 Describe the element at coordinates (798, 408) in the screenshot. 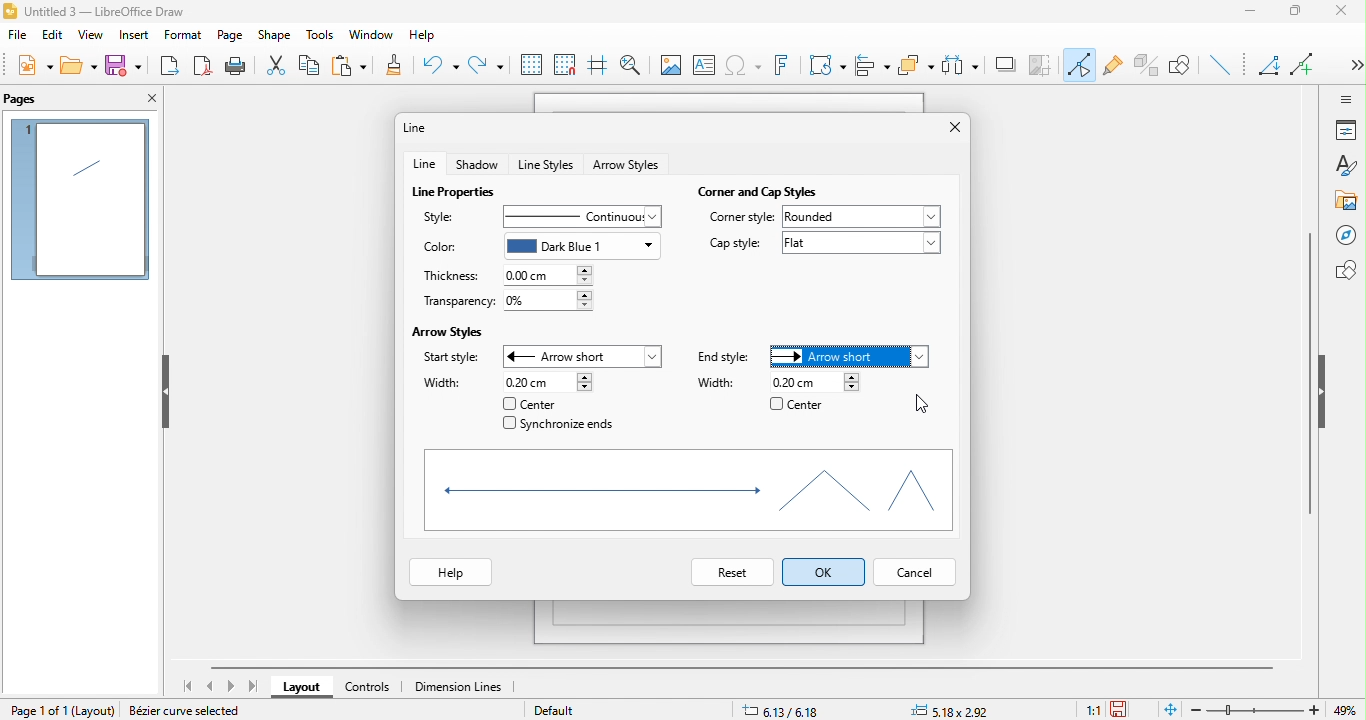

I see `center` at that location.